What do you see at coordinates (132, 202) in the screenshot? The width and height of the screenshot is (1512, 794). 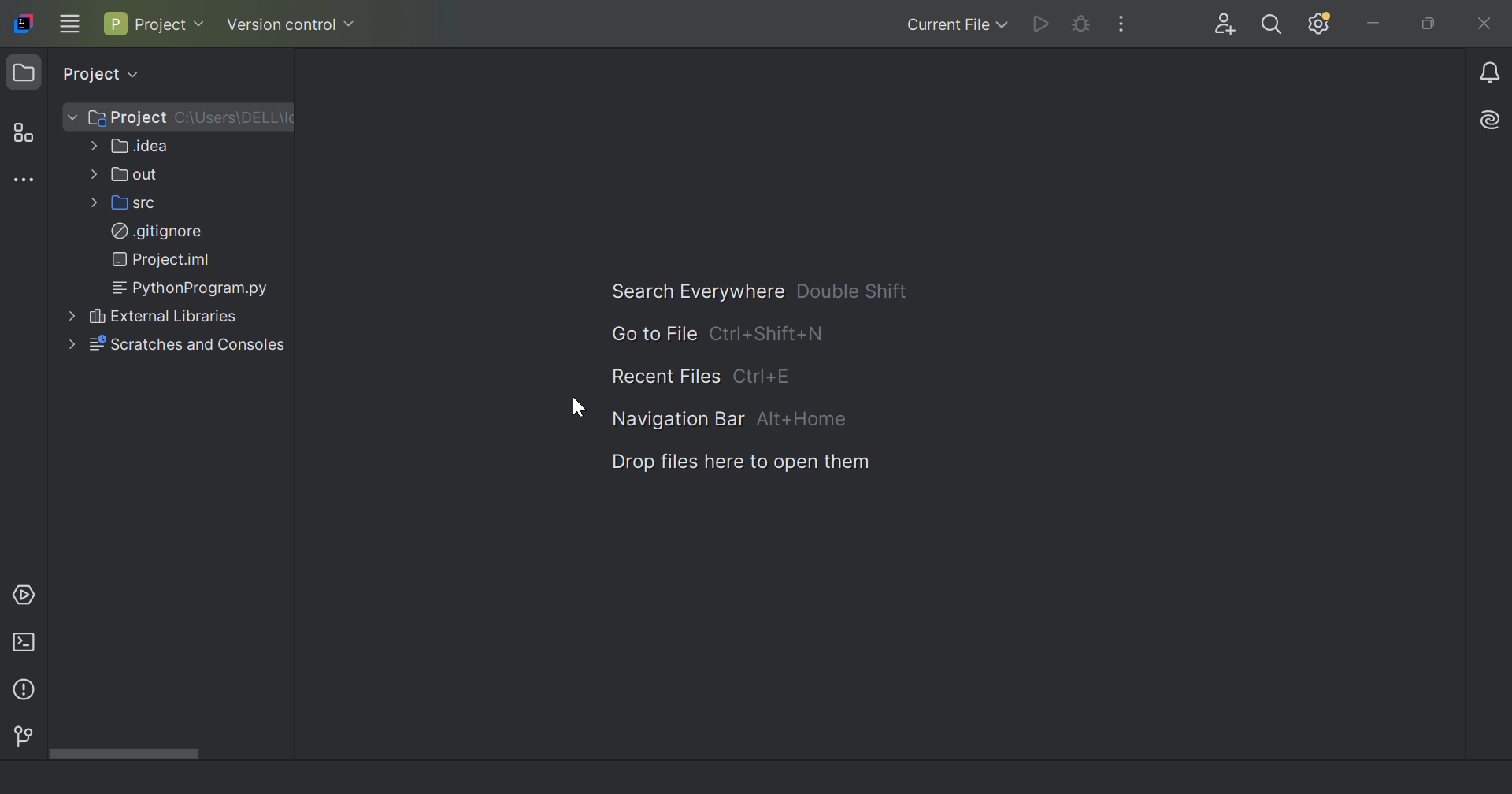 I see `src` at bounding box center [132, 202].